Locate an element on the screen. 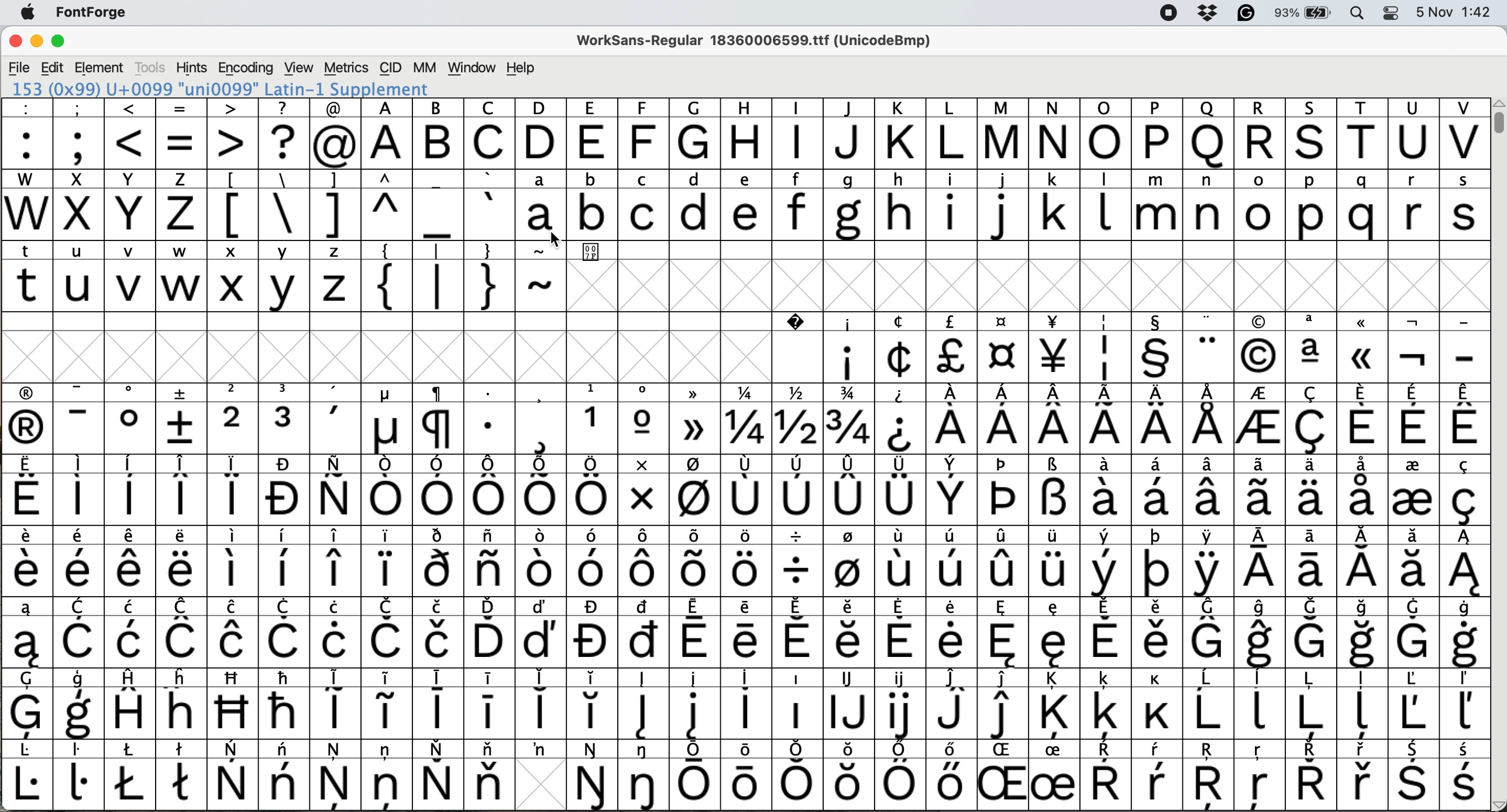  b is located at coordinates (592, 206).